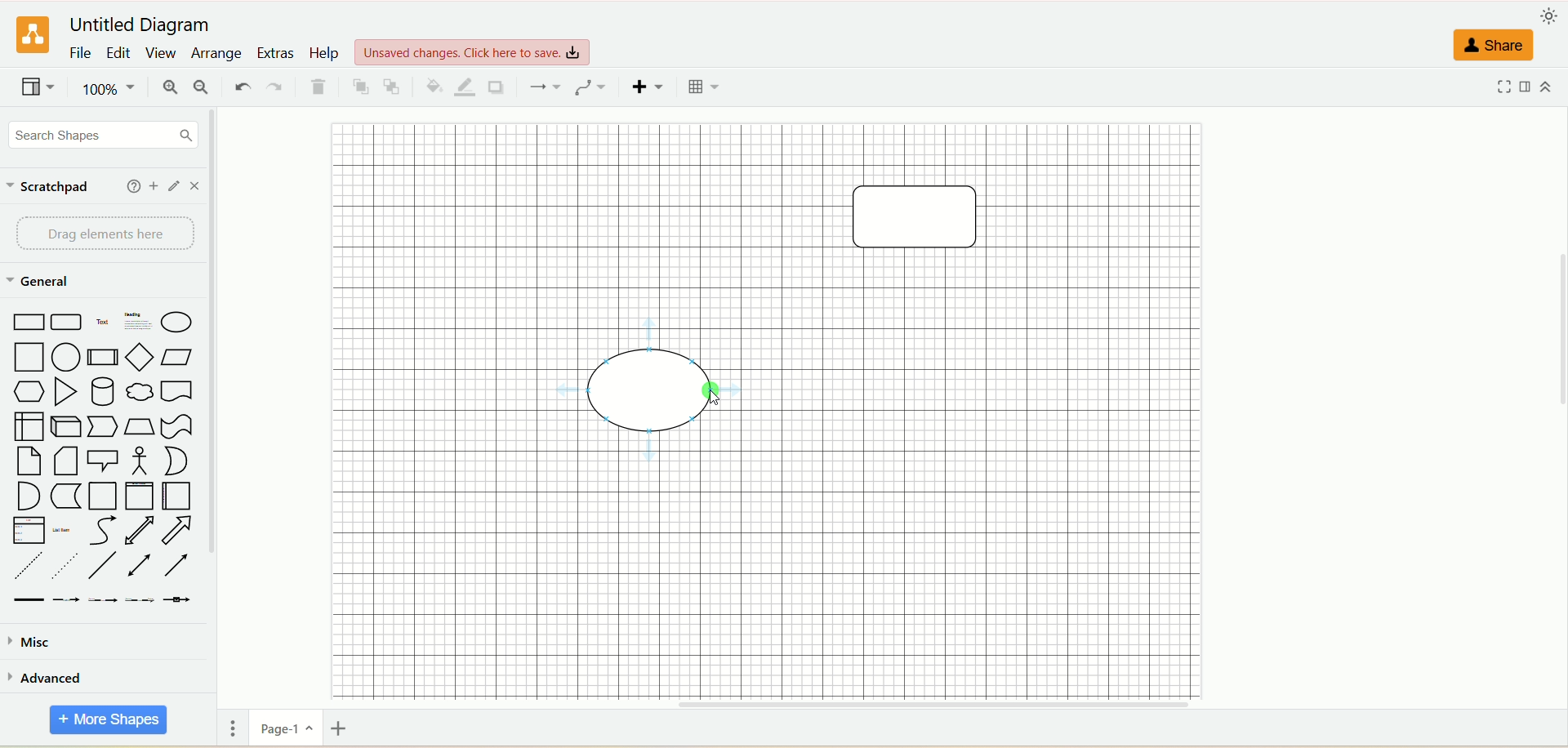  What do you see at coordinates (219, 51) in the screenshot?
I see `arrange` at bounding box center [219, 51].